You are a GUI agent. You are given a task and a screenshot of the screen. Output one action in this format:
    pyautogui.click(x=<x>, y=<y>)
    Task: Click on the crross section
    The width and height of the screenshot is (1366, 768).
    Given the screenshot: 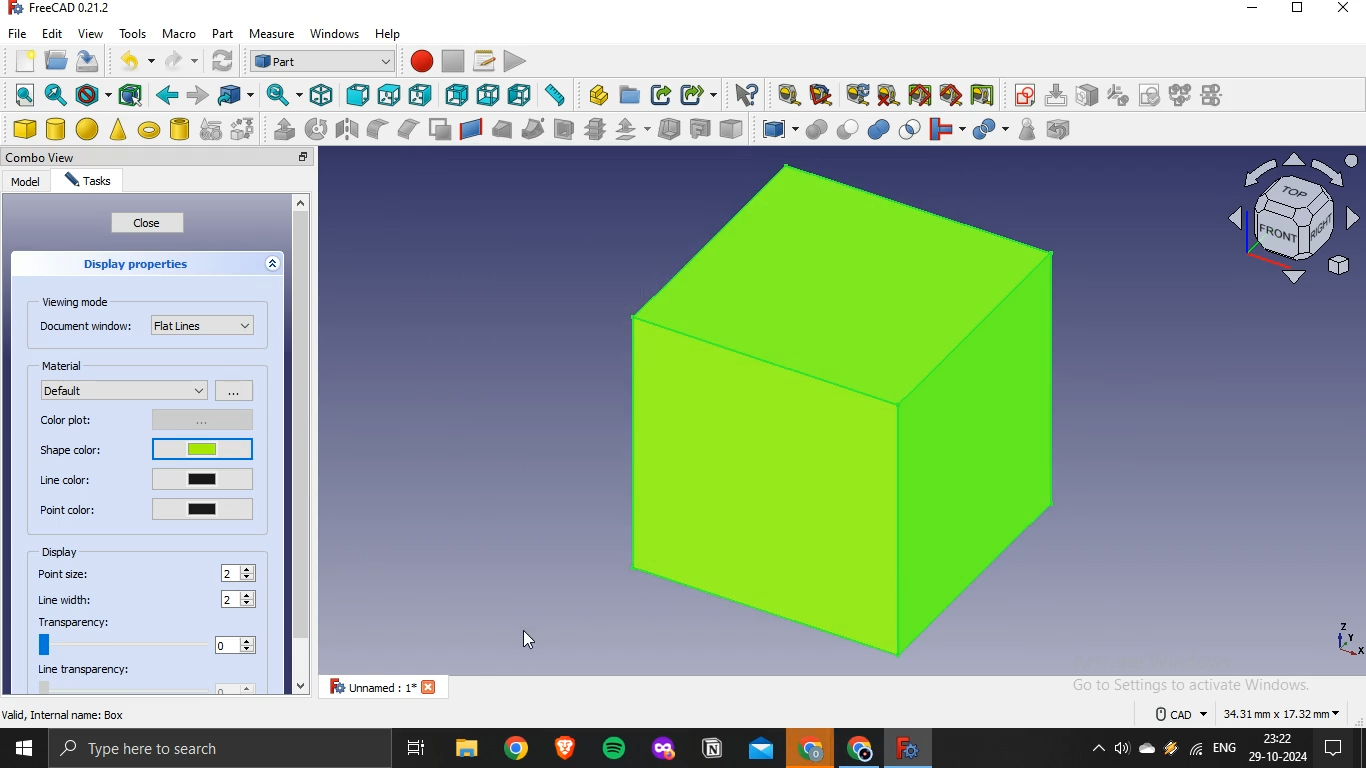 What is the action you would take?
    pyautogui.click(x=595, y=128)
    